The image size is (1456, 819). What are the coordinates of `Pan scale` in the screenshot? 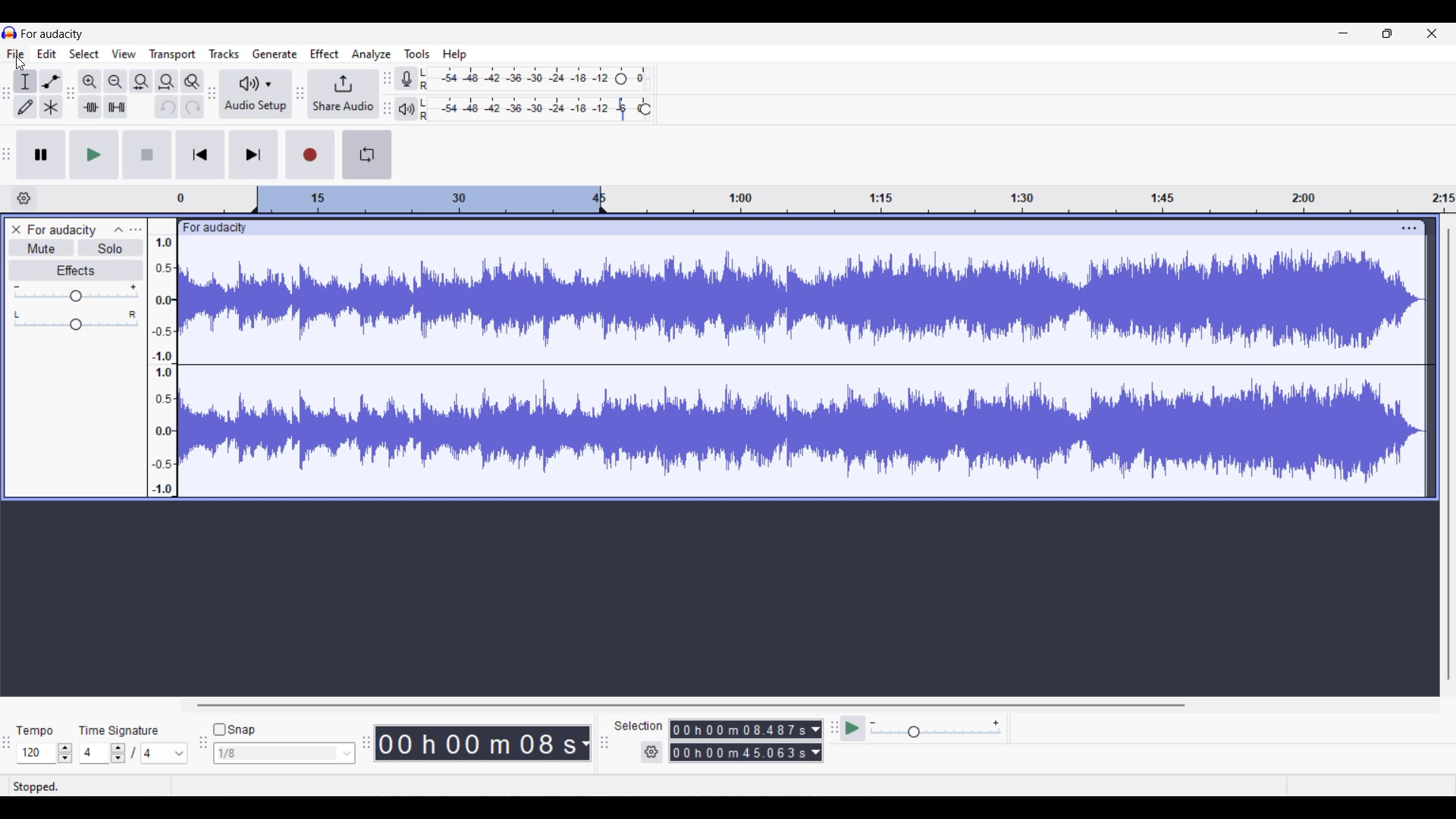 It's located at (76, 321).